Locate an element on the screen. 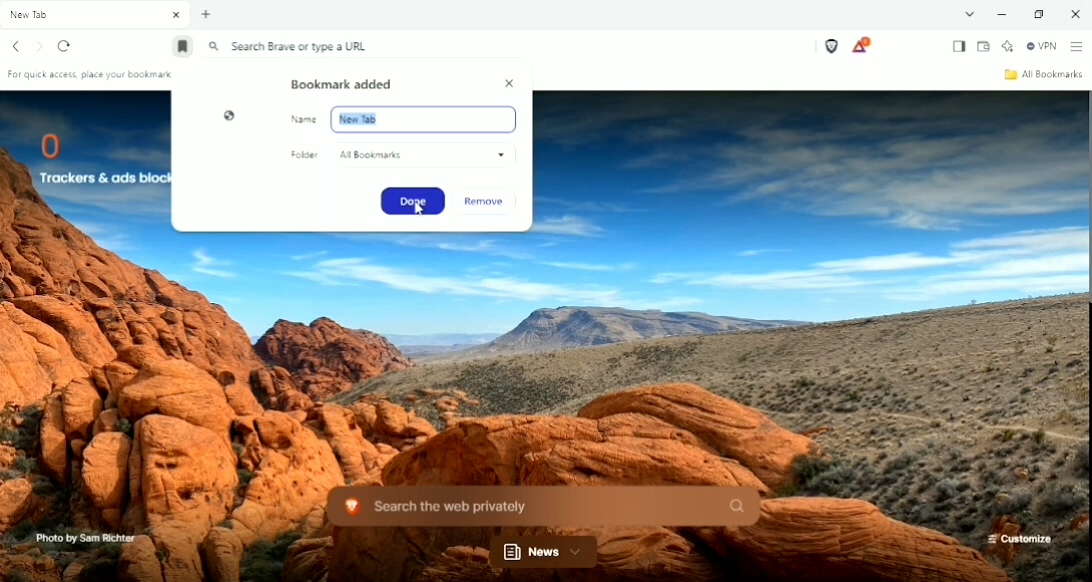  Minimize is located at coordinates (1001, 15).